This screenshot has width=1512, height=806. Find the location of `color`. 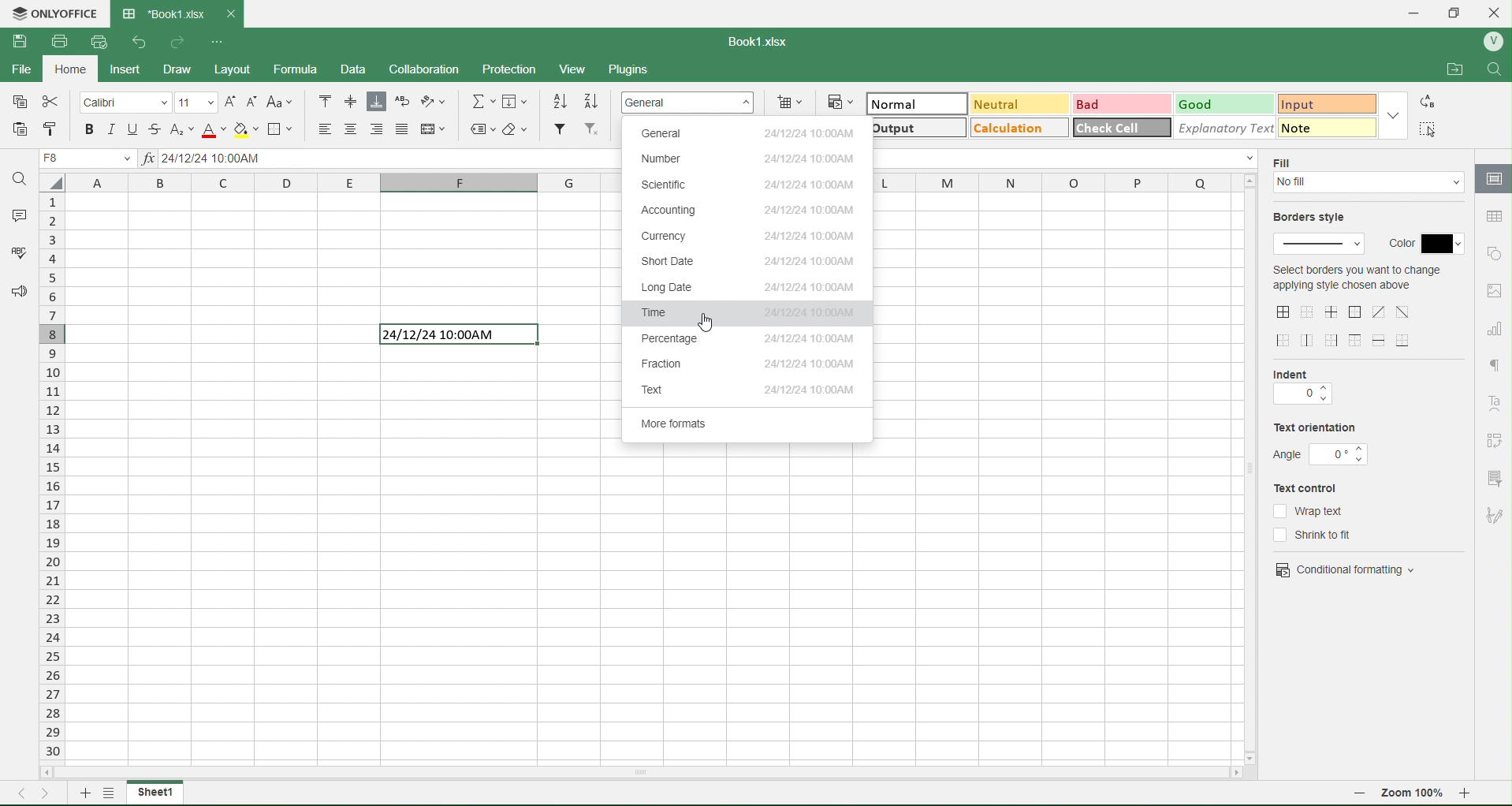

color is located at coordinates (1425, 240).